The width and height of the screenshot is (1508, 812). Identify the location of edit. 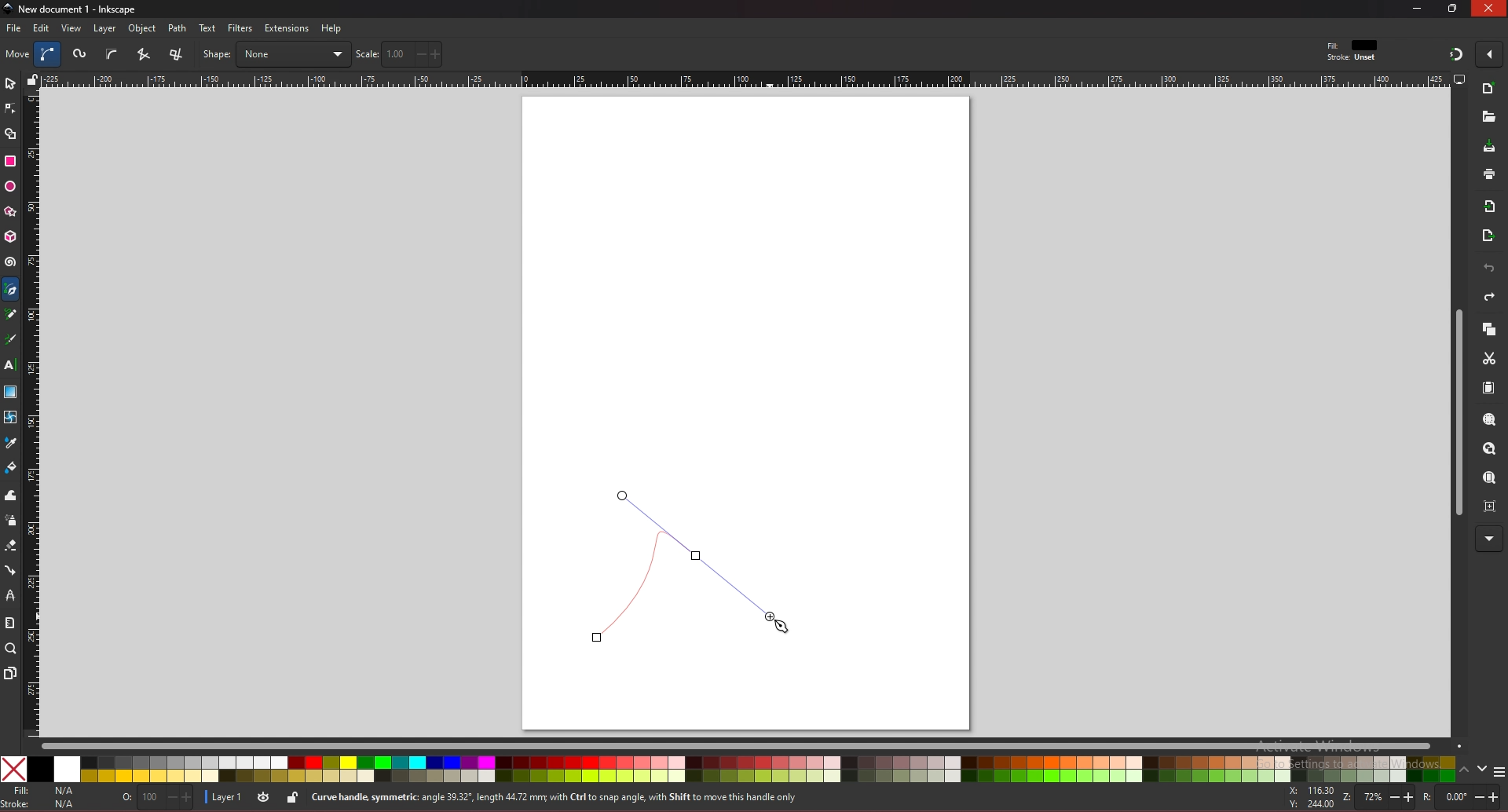
(42, 27).